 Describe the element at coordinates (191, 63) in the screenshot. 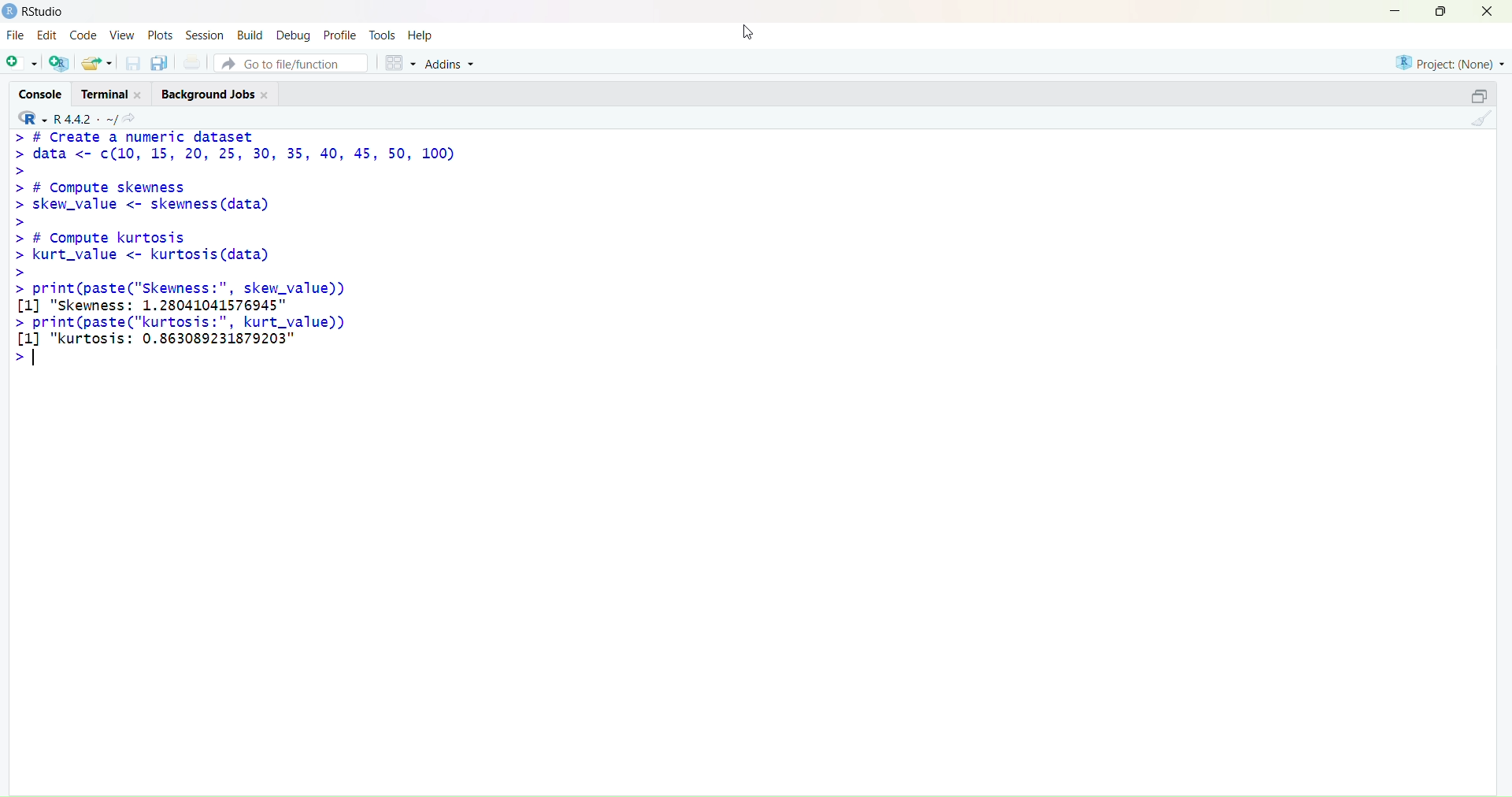

I see `Print the current file` at that location.